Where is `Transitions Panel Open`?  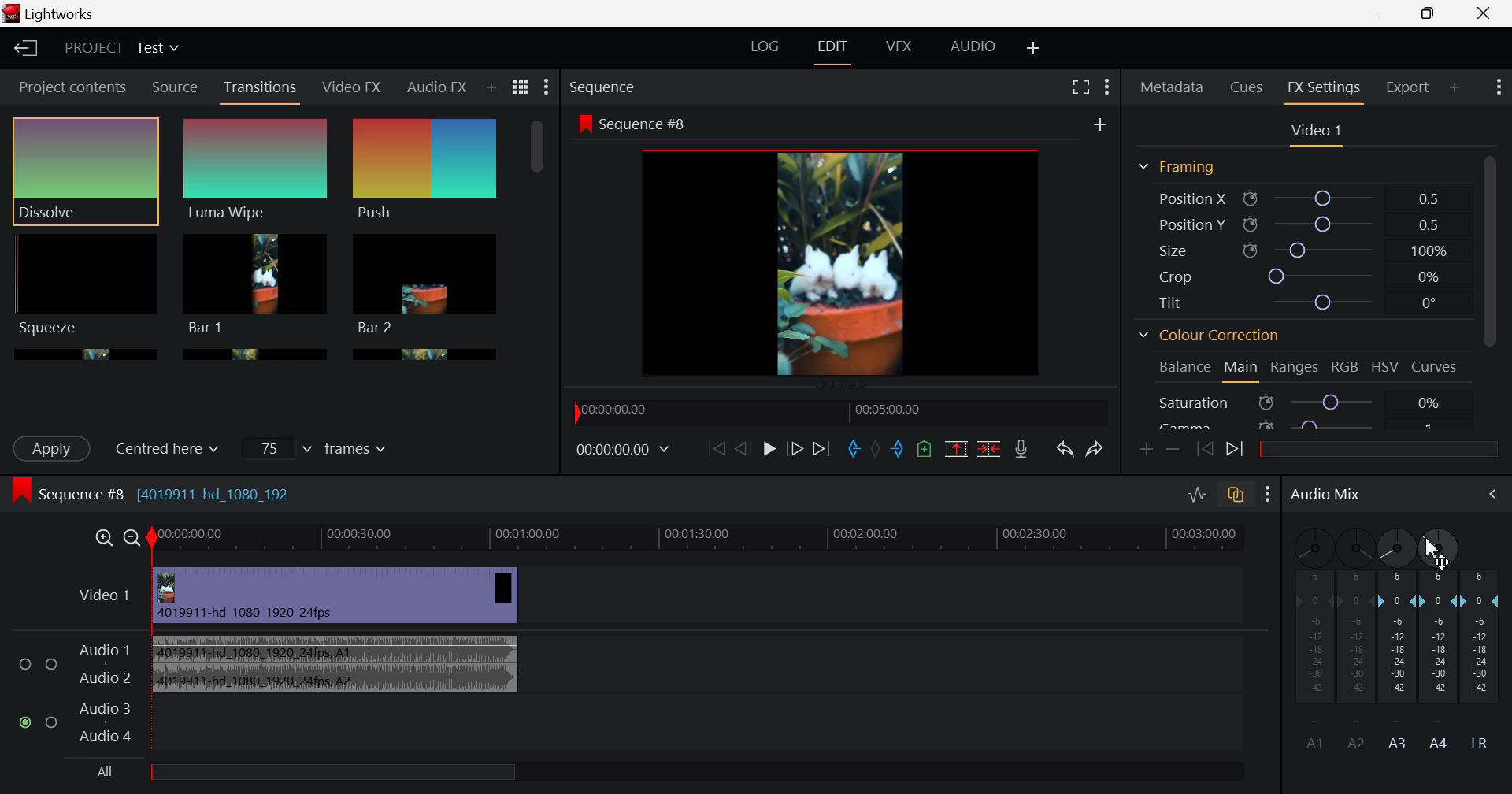 Transitions Panel Open is located at coordinates (261, 92).